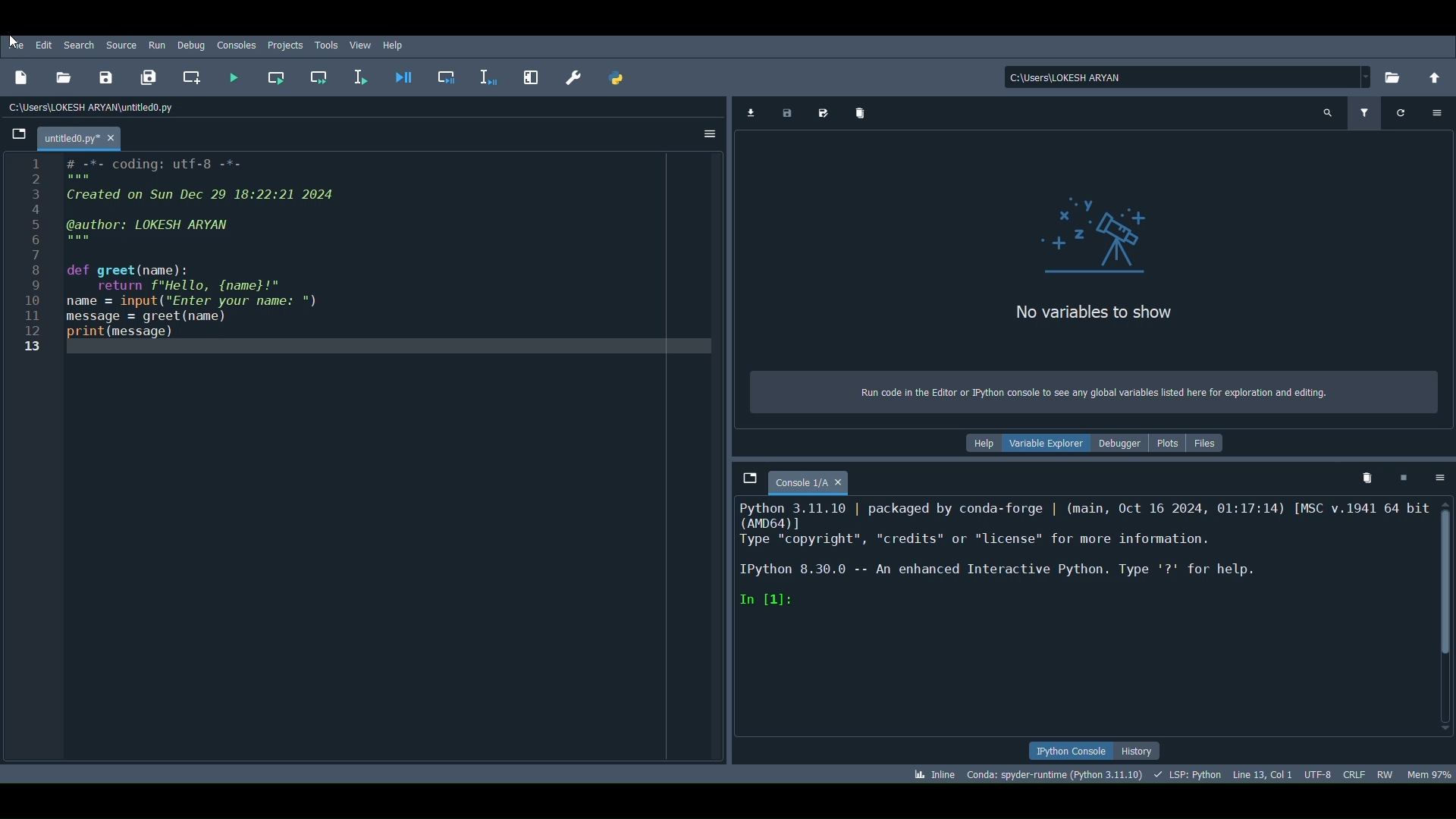  What do you see at coordinates (1438, 111) in the screenshot?
I see `Options` at bounding box center [1438, 111].